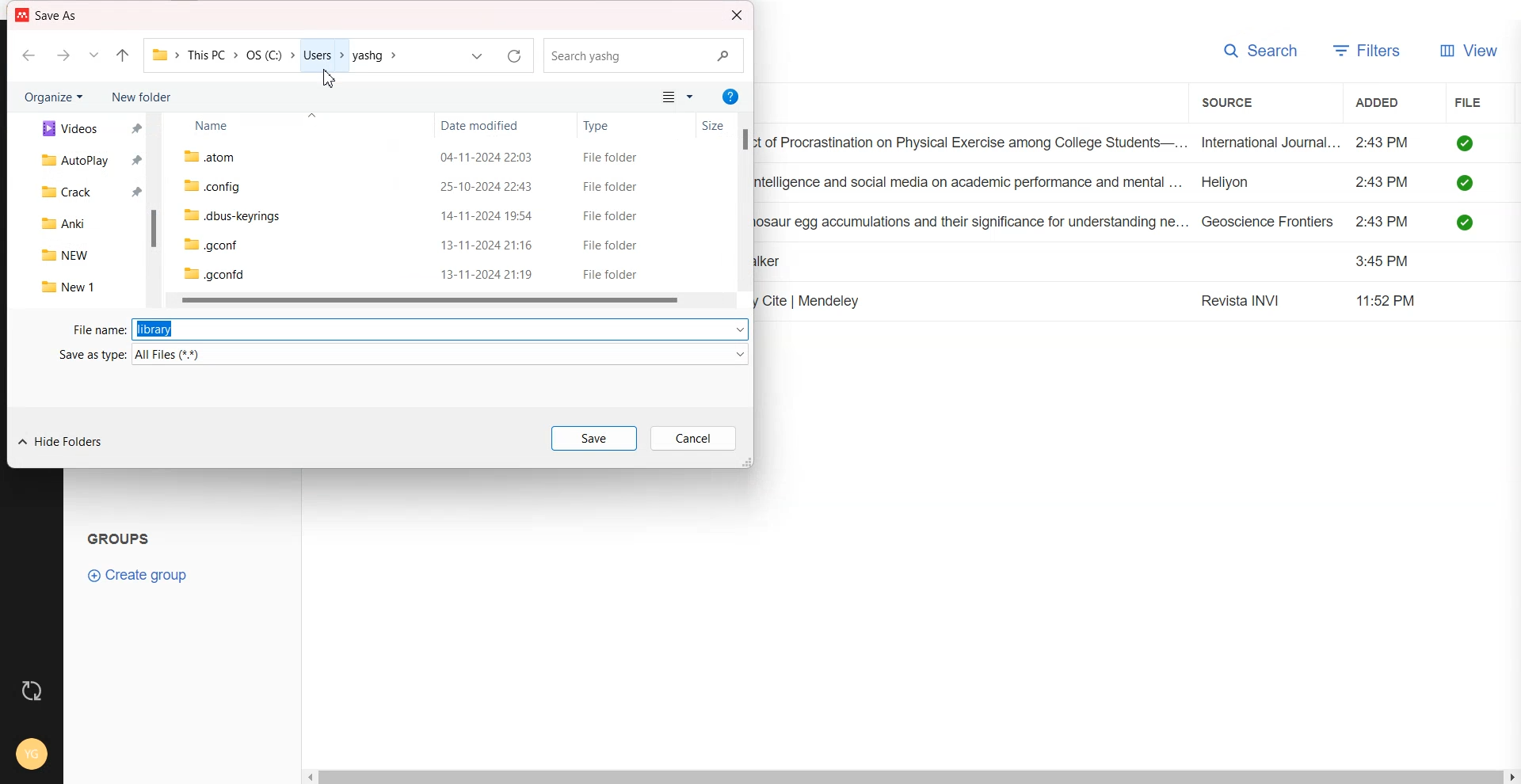 The image size is (1521, 784). I want to click on Geoscience Frontiers, so click(1268, 222).